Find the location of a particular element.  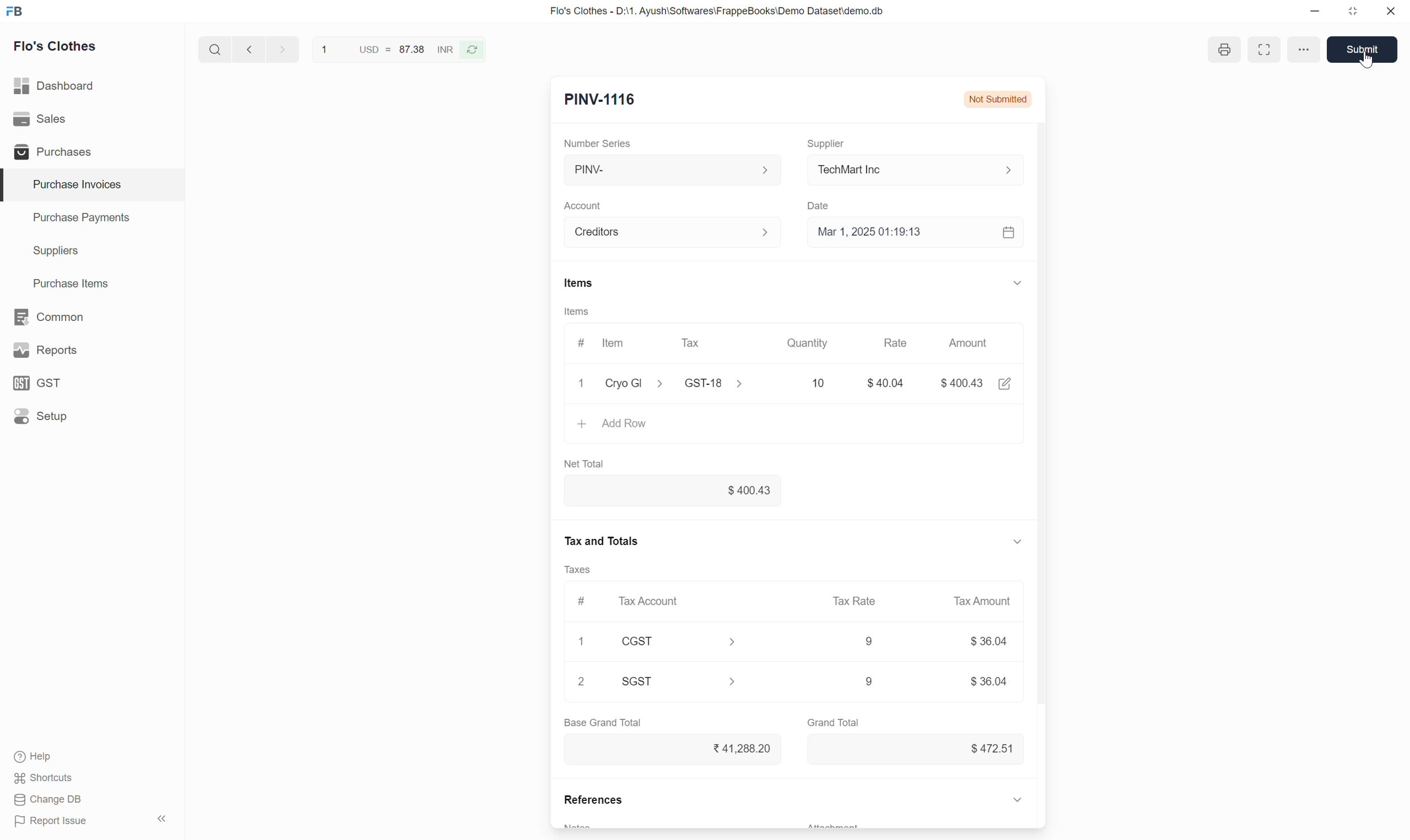

ltem is located at coordinates (616, 345).